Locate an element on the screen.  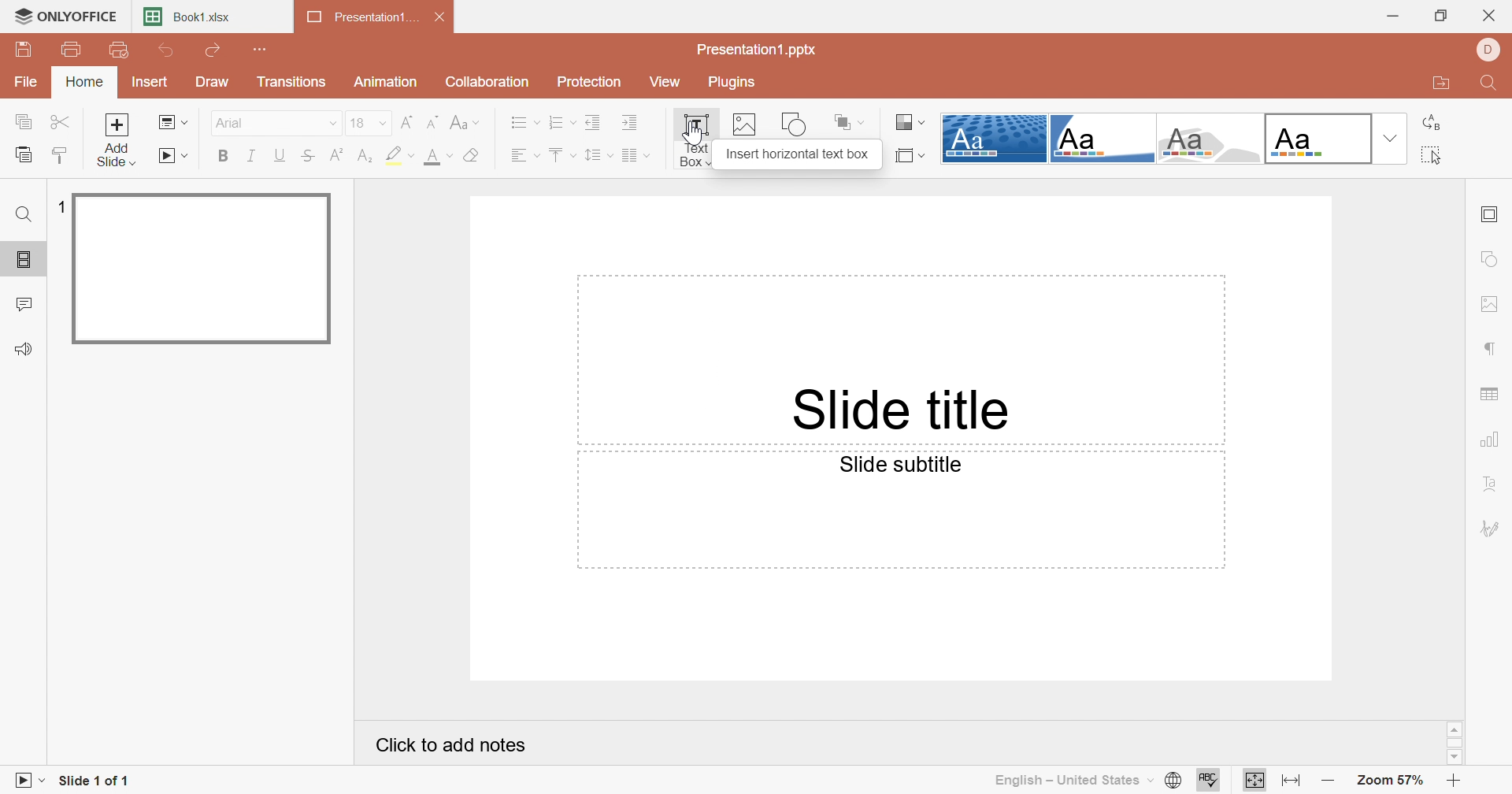
Increment font size is located at coordinates (407, 123).